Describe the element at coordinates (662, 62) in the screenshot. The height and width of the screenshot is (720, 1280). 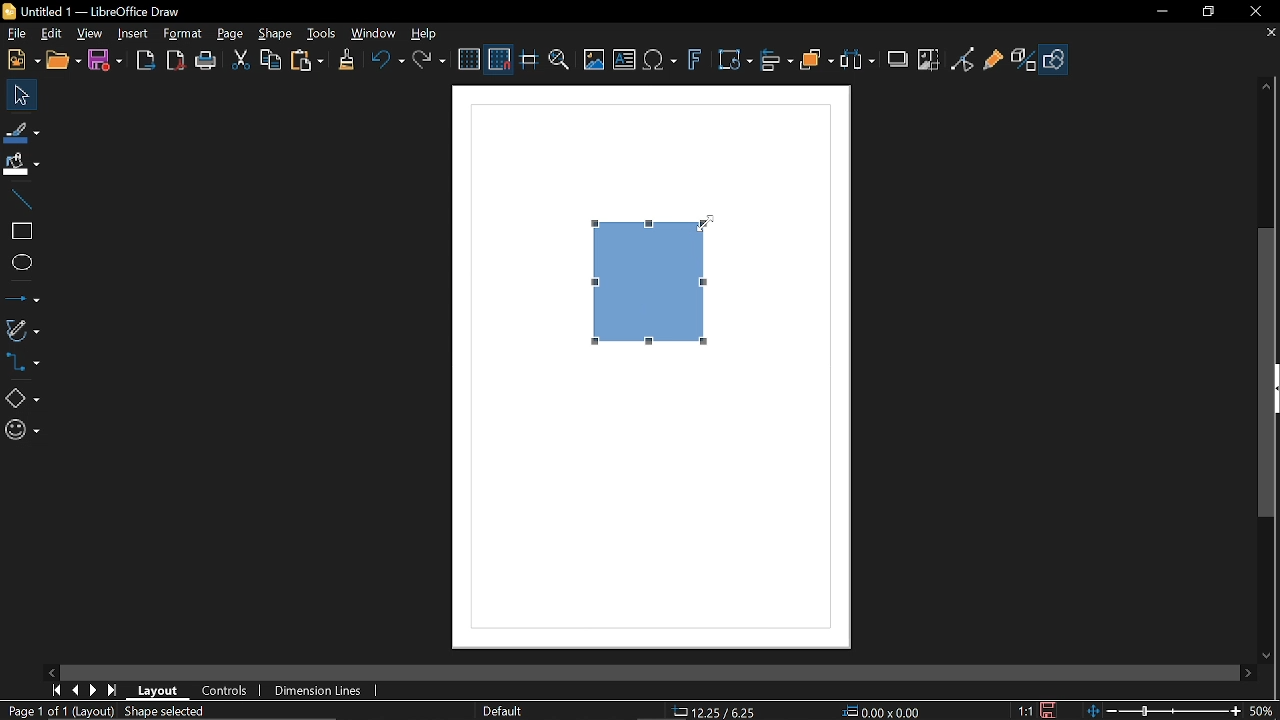
I see `Add equation` at that location.